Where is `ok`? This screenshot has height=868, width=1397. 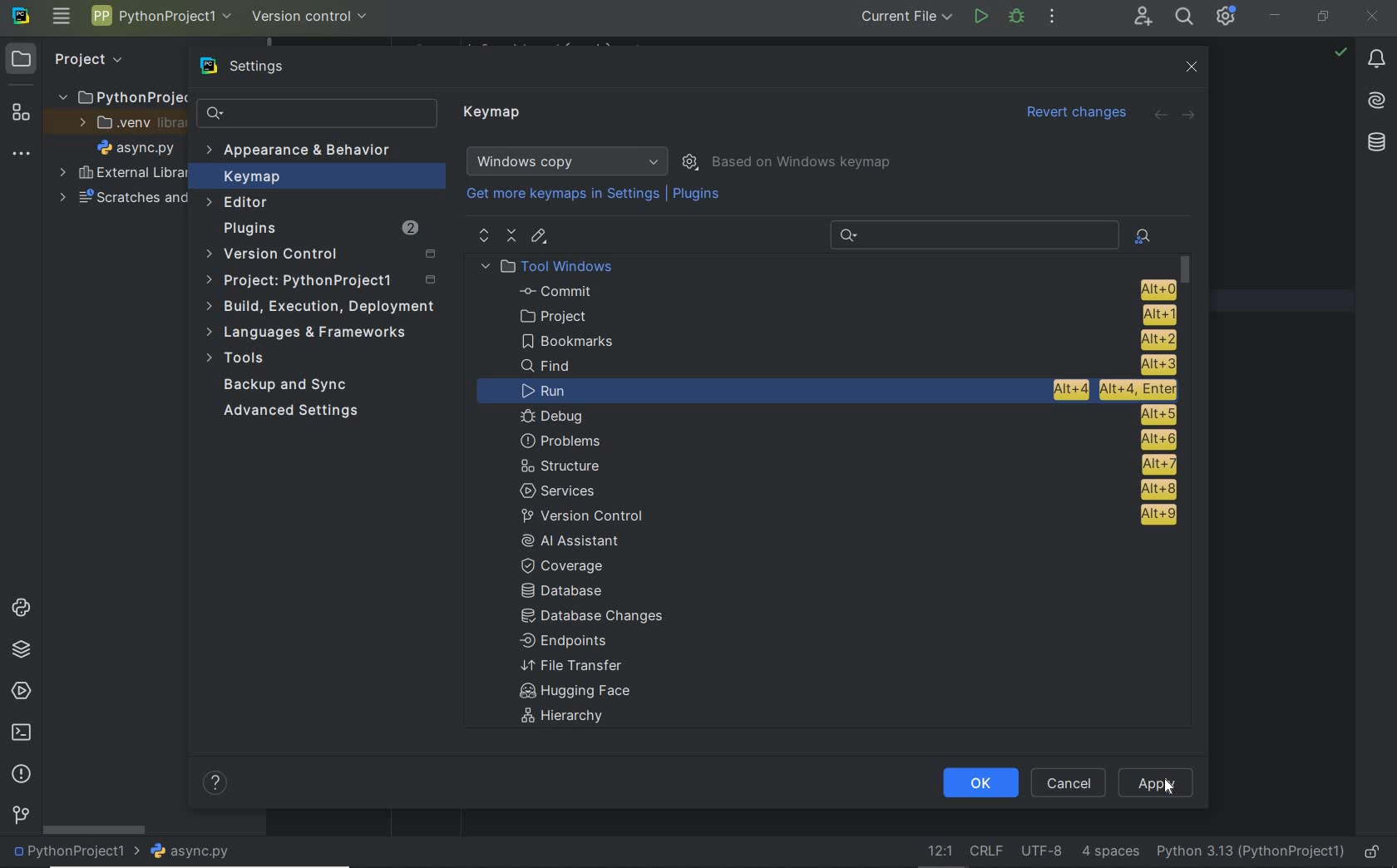
ok is located at coordinates (980, 784).